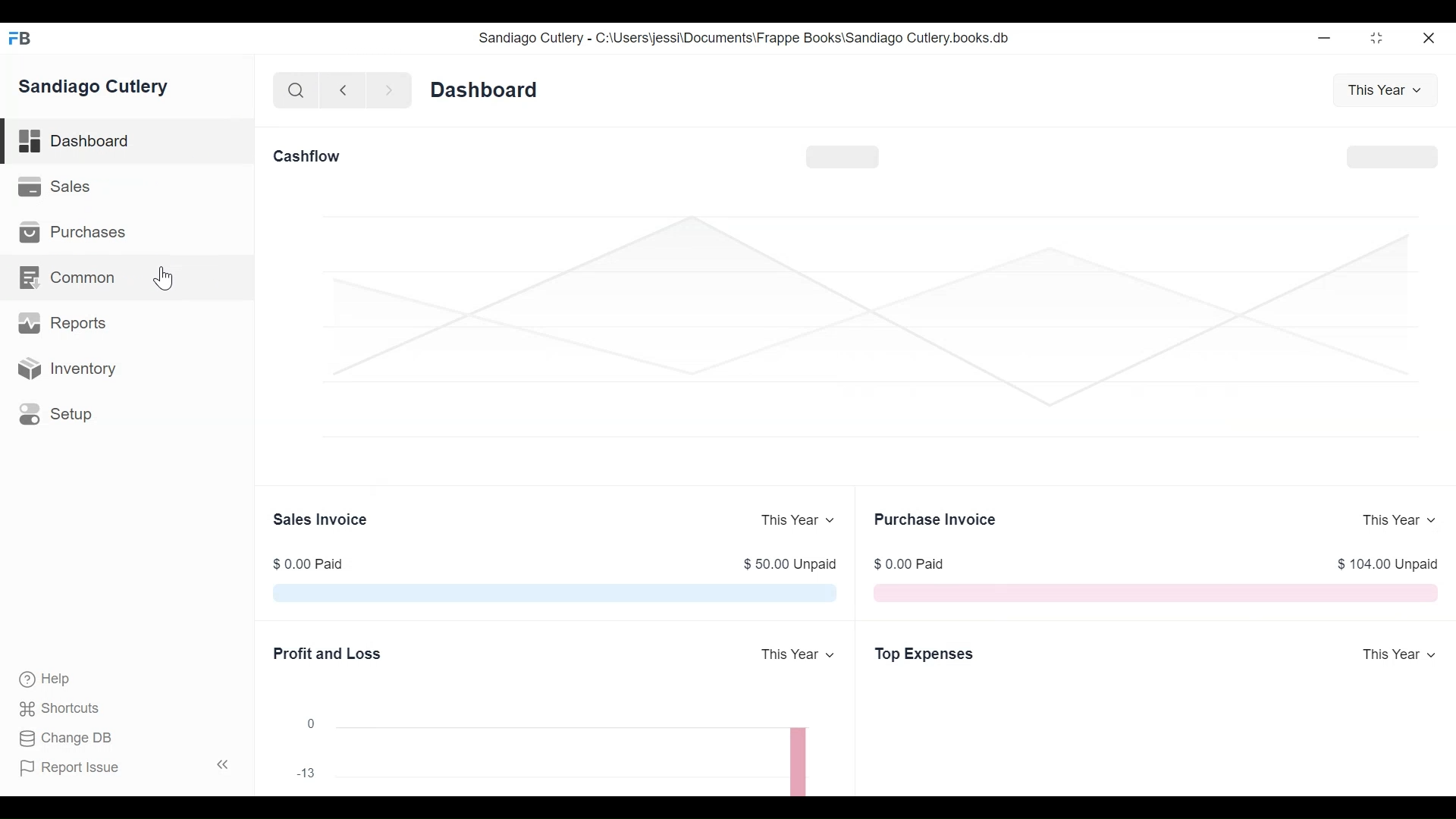 This screenshot has width=1456, height=819. What do you see at coordinates (64, 708) in the screenshot?
I see `Shortcuts` at bounding box center [64, 708].